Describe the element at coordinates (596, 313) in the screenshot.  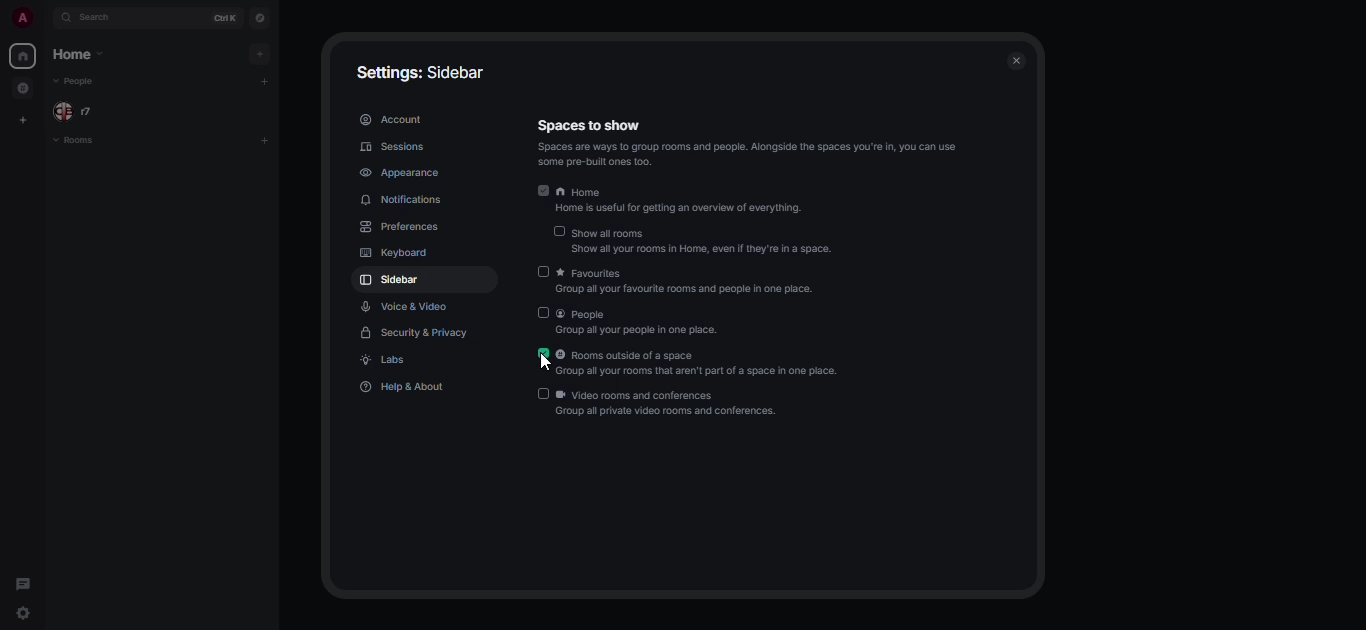
I see `people` at that location.